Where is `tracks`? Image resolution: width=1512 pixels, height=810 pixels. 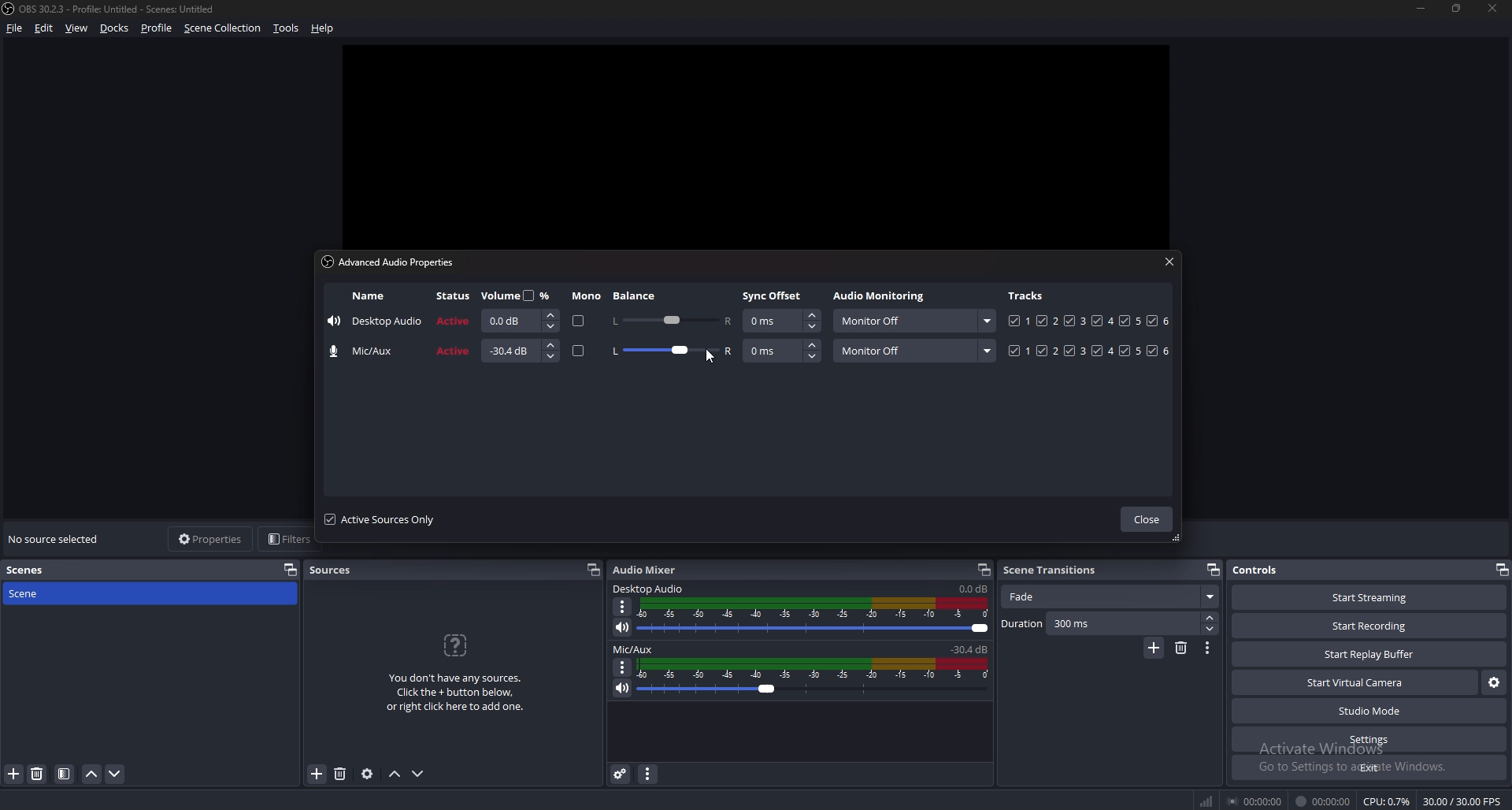
tracks is located at coordinates (1089, 321).